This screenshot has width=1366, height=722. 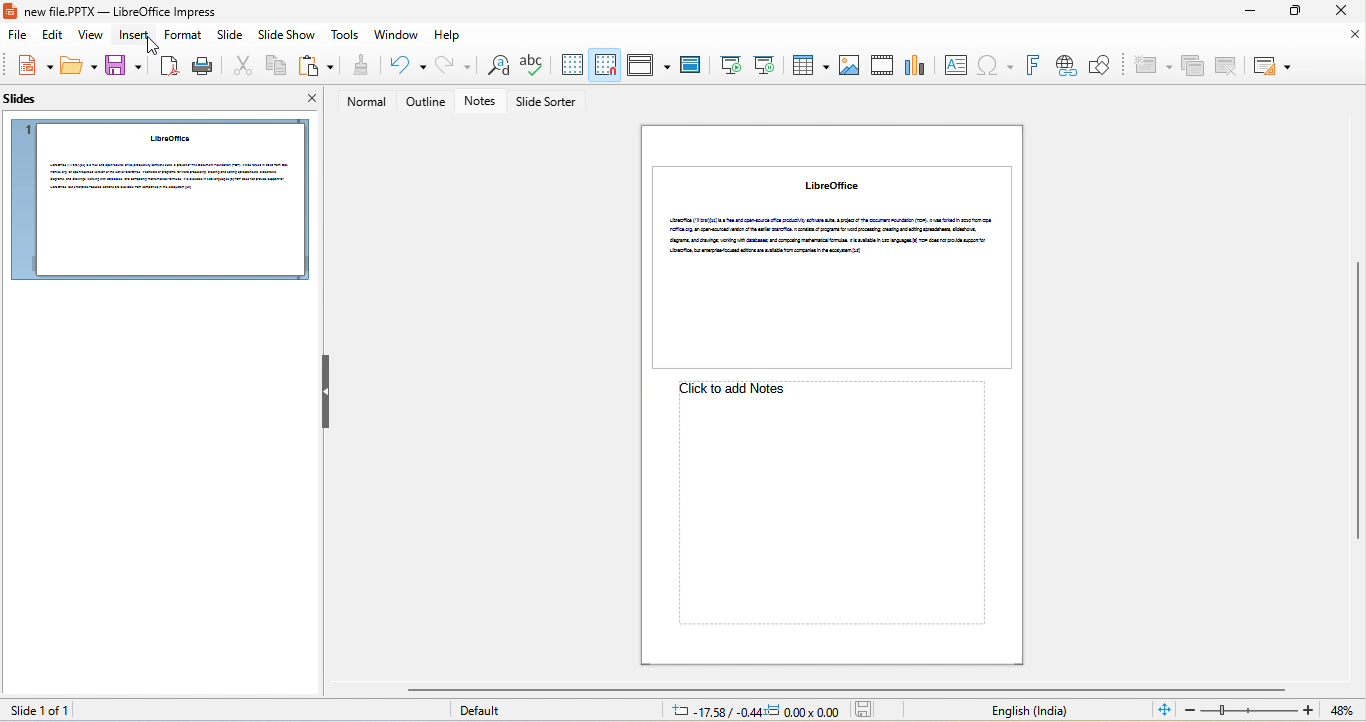 What do you see at coordinates (648, 65) in the screenshot?
I see `display view` at bounding box center [648, 65].